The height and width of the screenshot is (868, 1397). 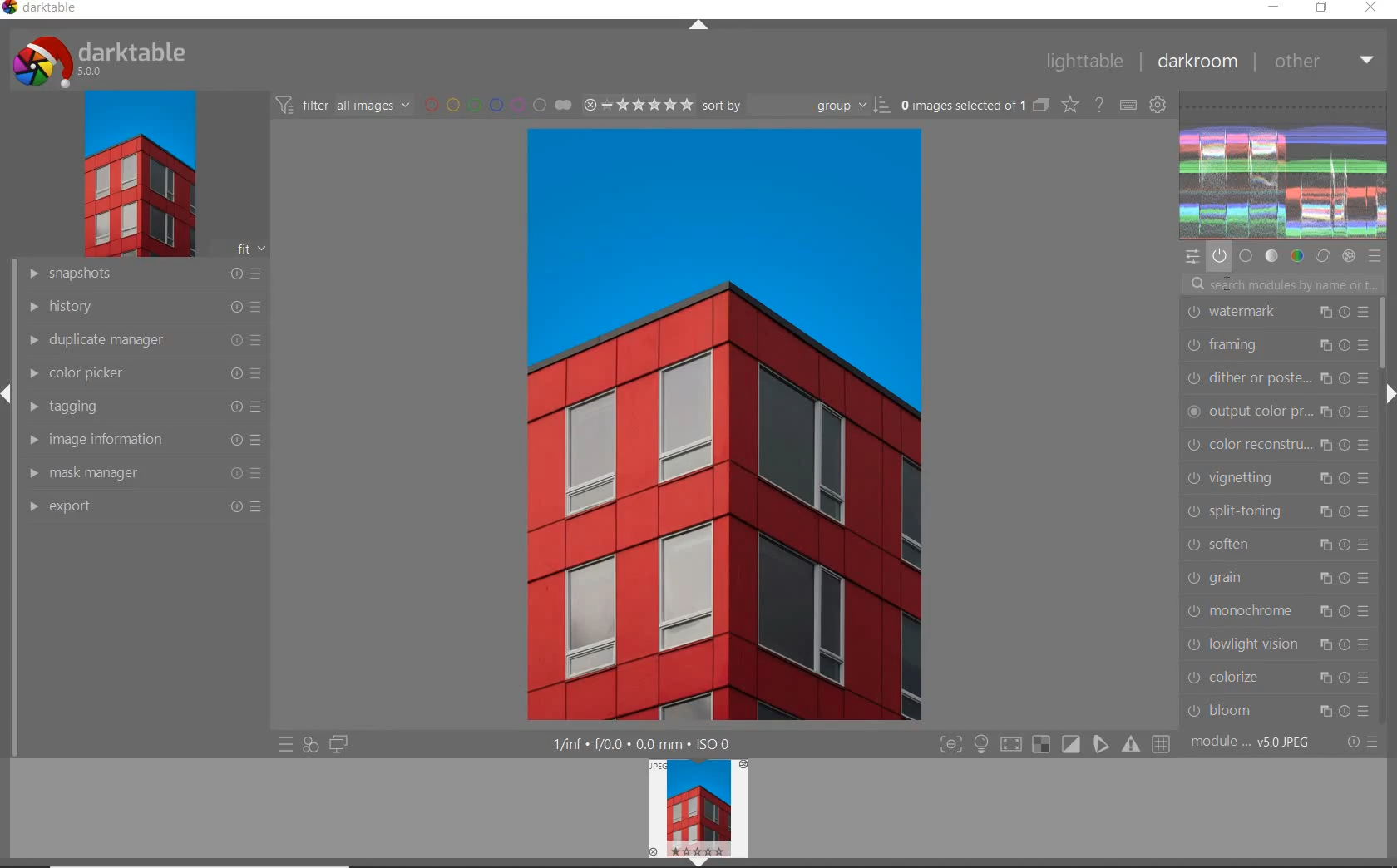 What do you see at coordinates (1088, 61) in the screenshot?
I see `lighttable` at bounding box center [1088, 61].